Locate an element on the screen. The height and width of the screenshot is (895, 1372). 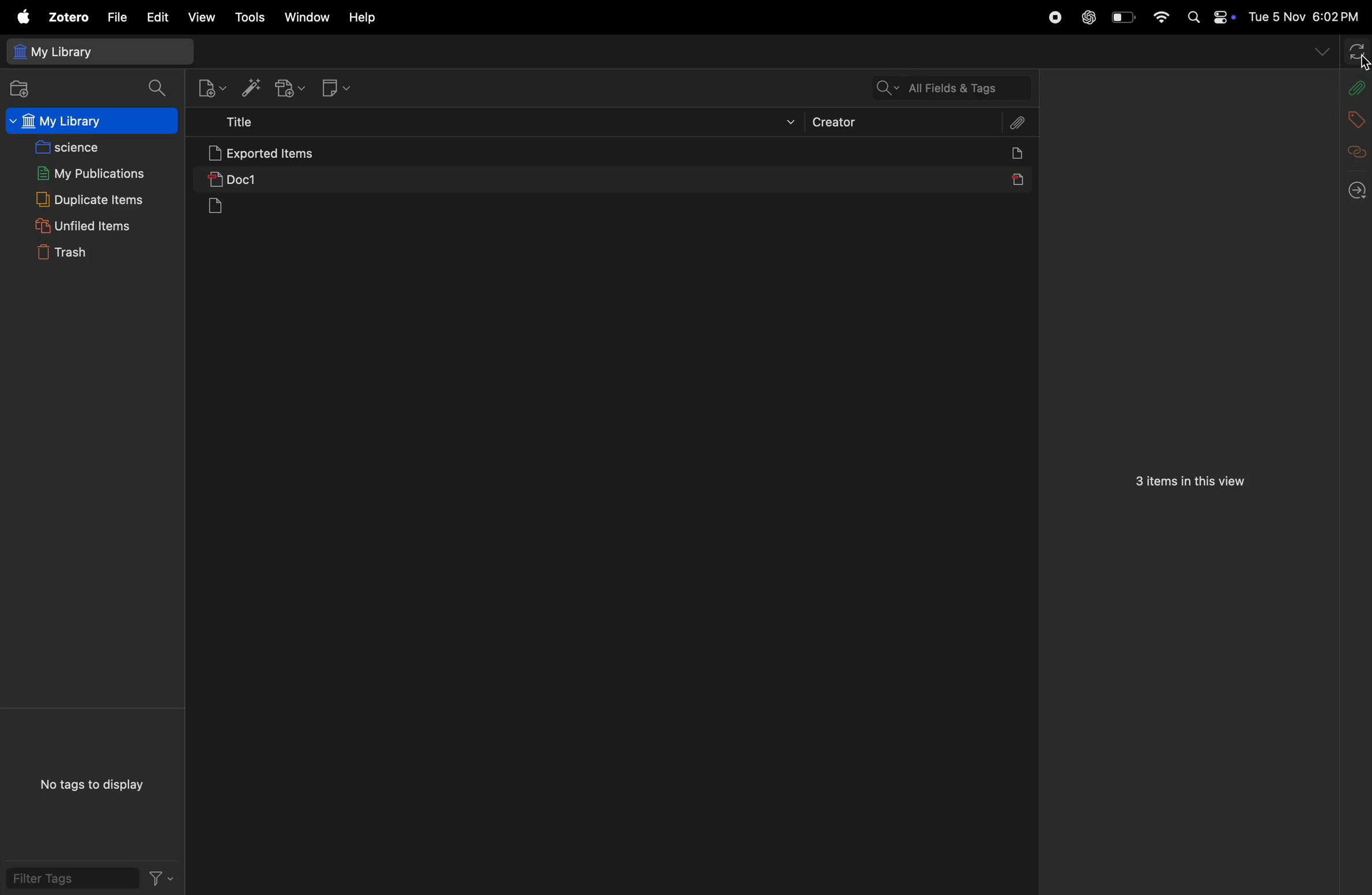
drop down is located at coordinates (1319, 51).